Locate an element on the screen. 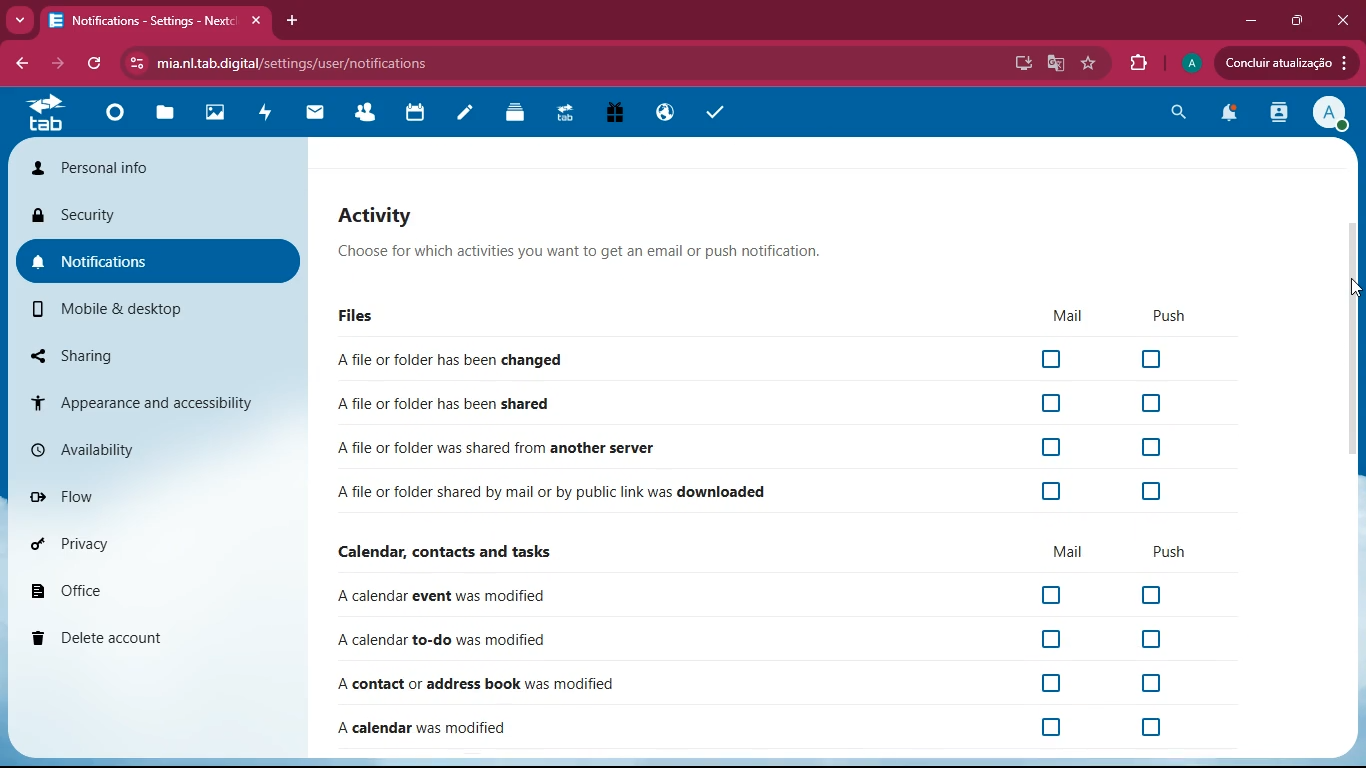 The image size is (1366, 768). add tab is located at coordinates (292, 19).